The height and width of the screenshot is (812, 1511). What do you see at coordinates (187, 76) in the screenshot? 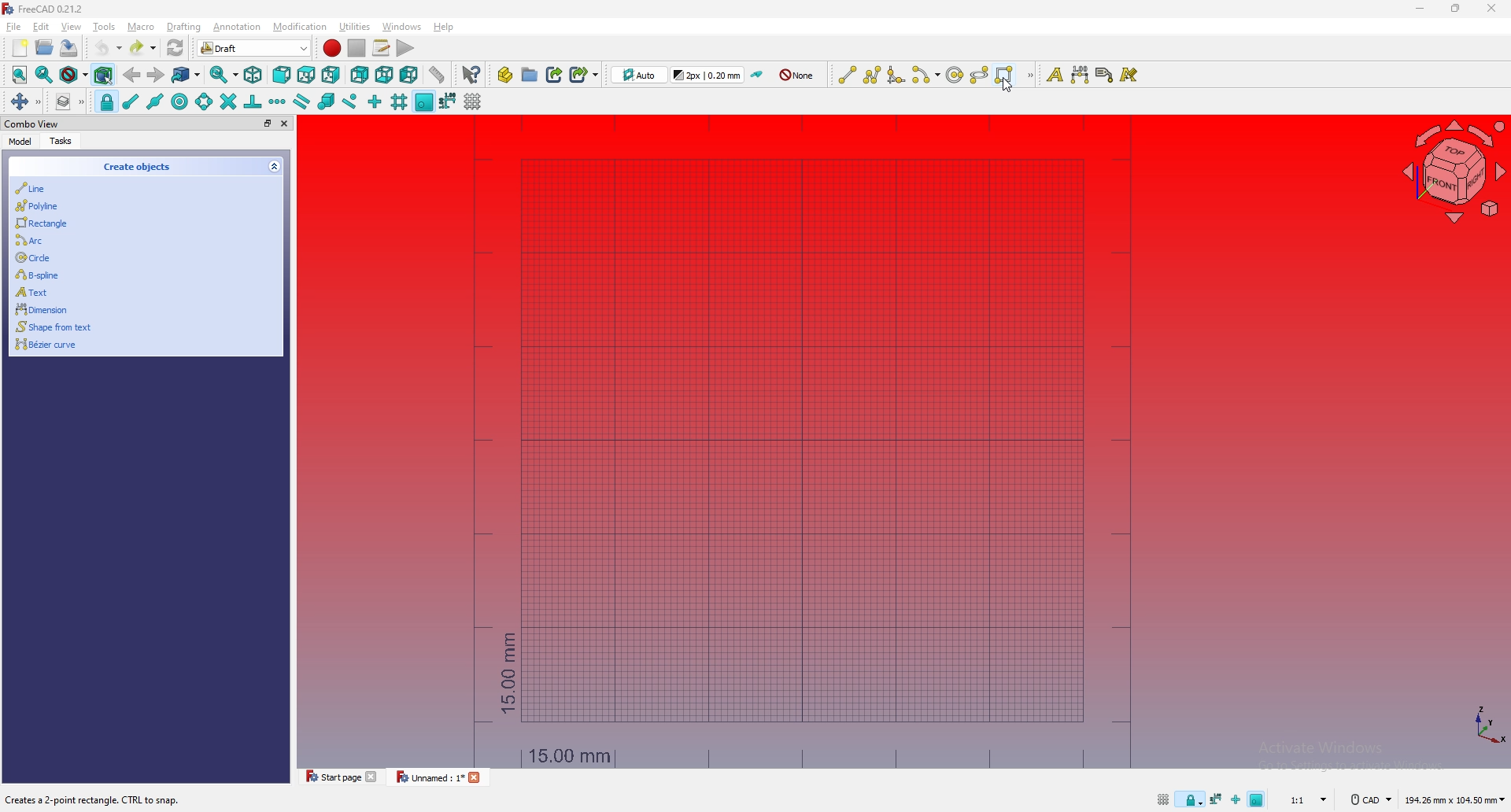
I see `goto linked object` at bounding box center [187, 76].